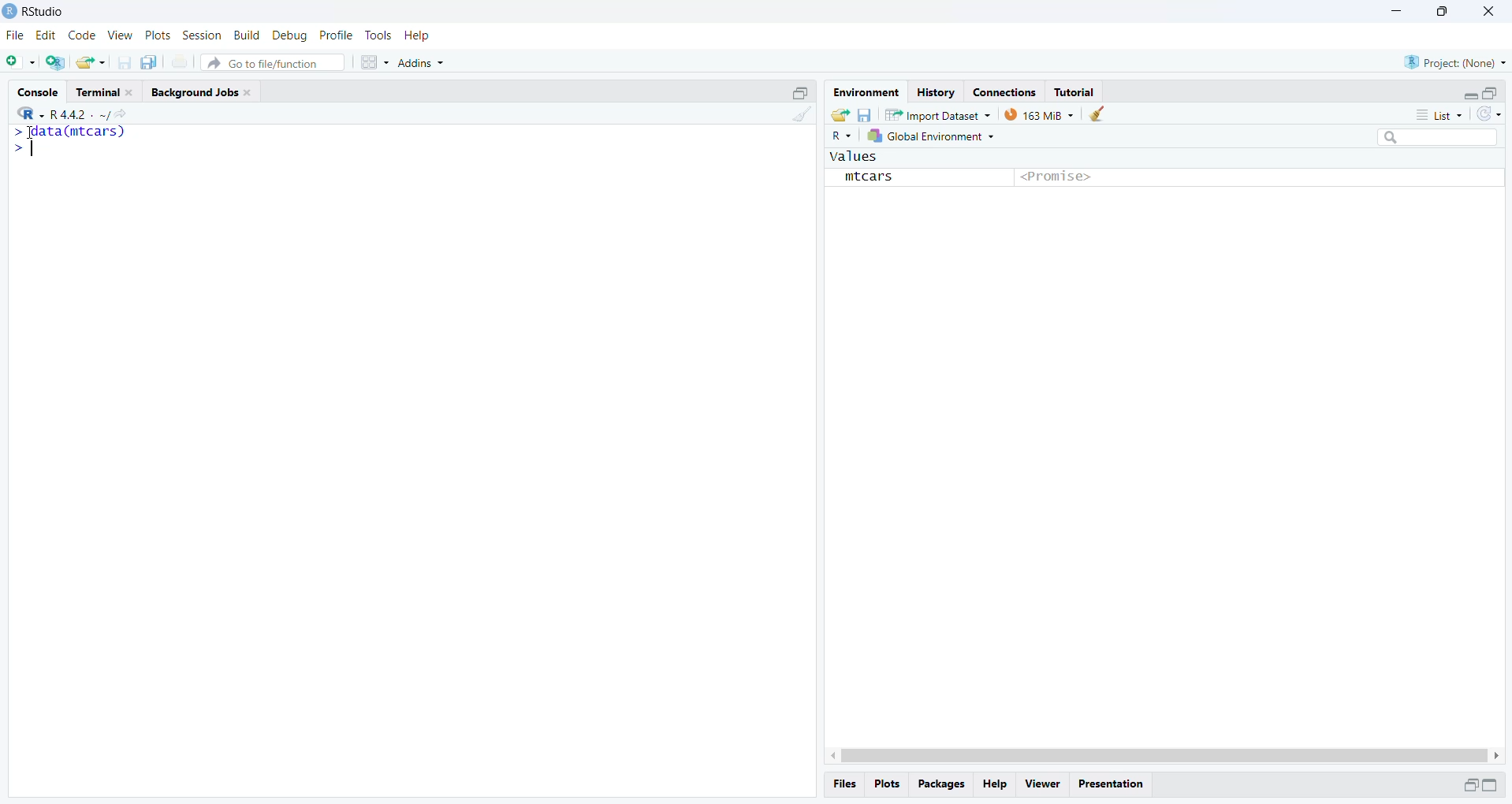 The image size is (1512, 804). Describe the element at coordinates (202, 35) in the screenshot. I see `session` at that location.